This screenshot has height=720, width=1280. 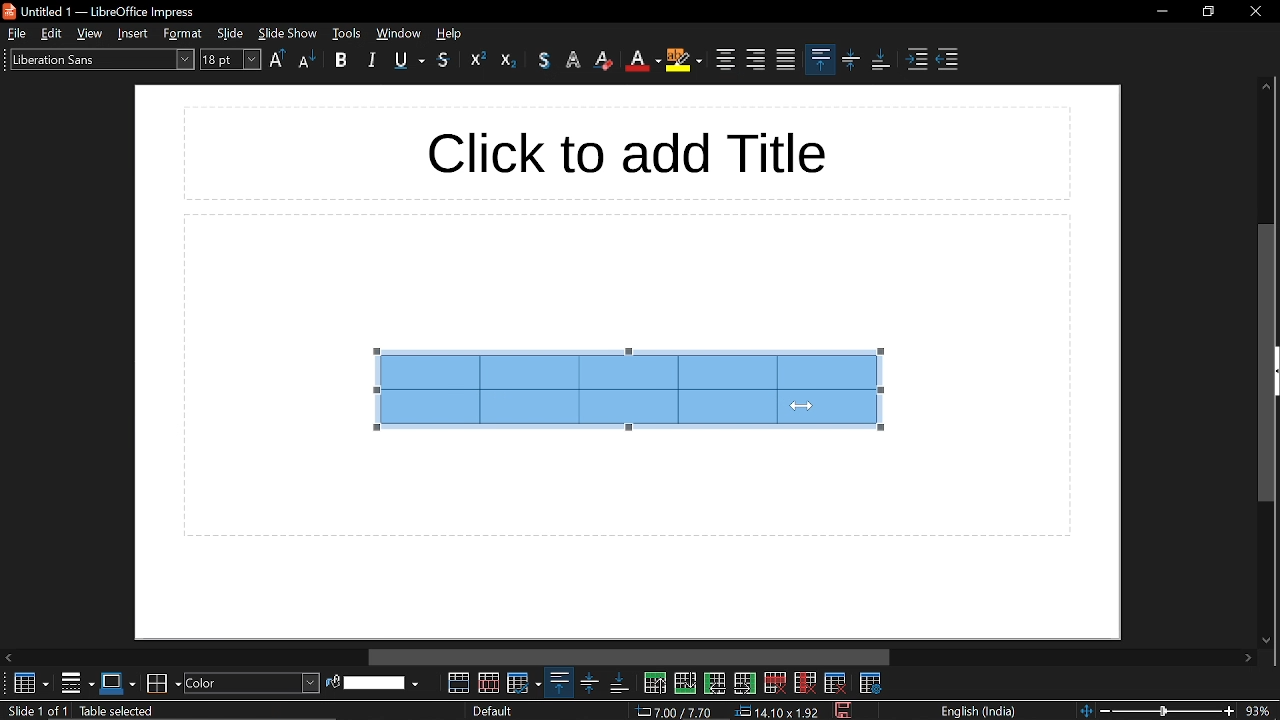 What do you see at coordinates (1205, 14) in the screenshot?
I see `restore down` at bounding box center [1205, 14].